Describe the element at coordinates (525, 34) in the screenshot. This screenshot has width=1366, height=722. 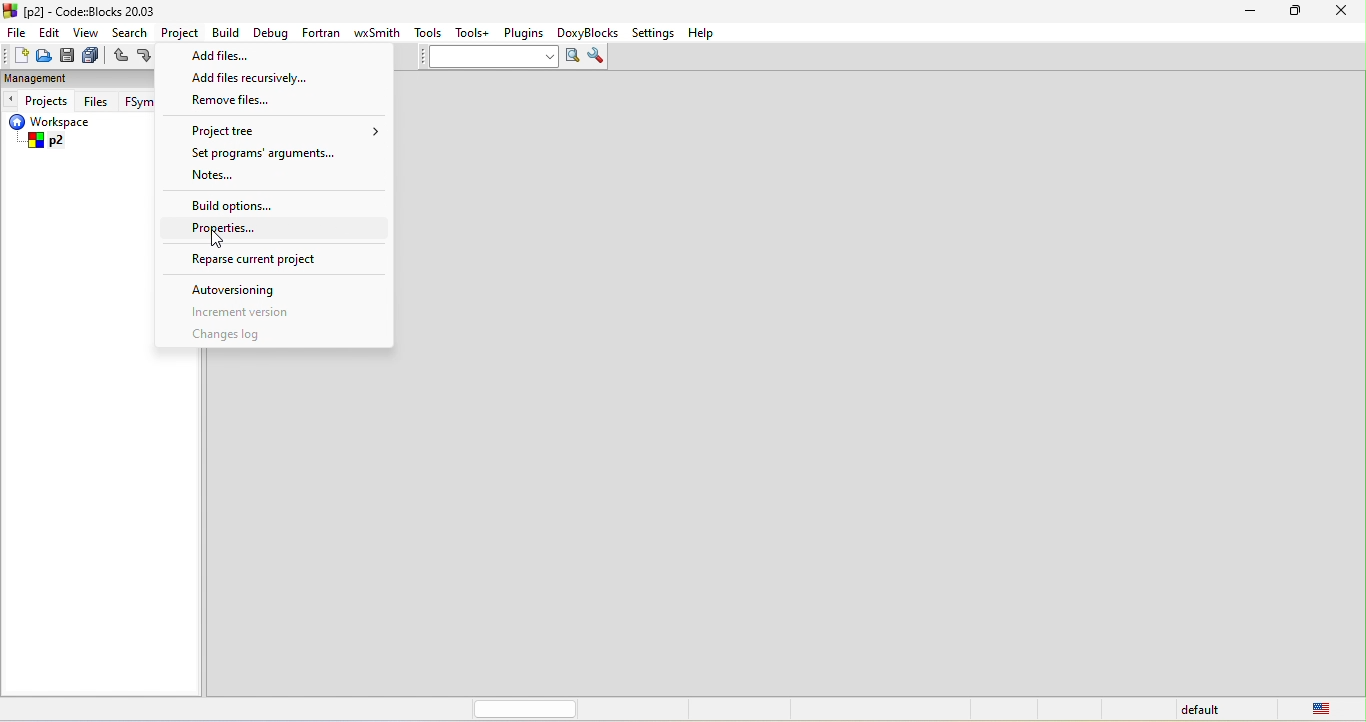
I see `plugins` at that location.